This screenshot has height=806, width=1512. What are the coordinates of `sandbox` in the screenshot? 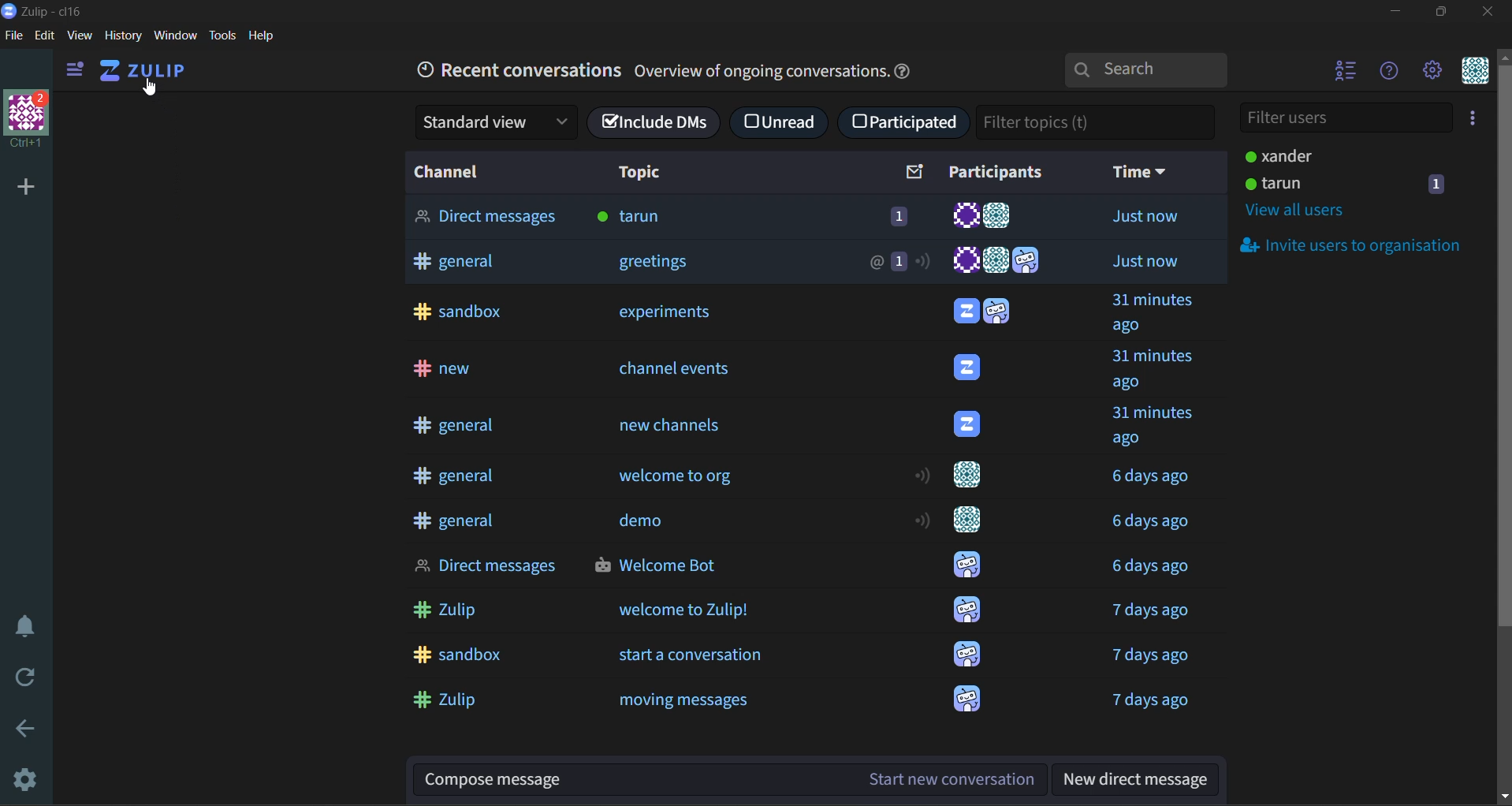 It's located at (457, 654).